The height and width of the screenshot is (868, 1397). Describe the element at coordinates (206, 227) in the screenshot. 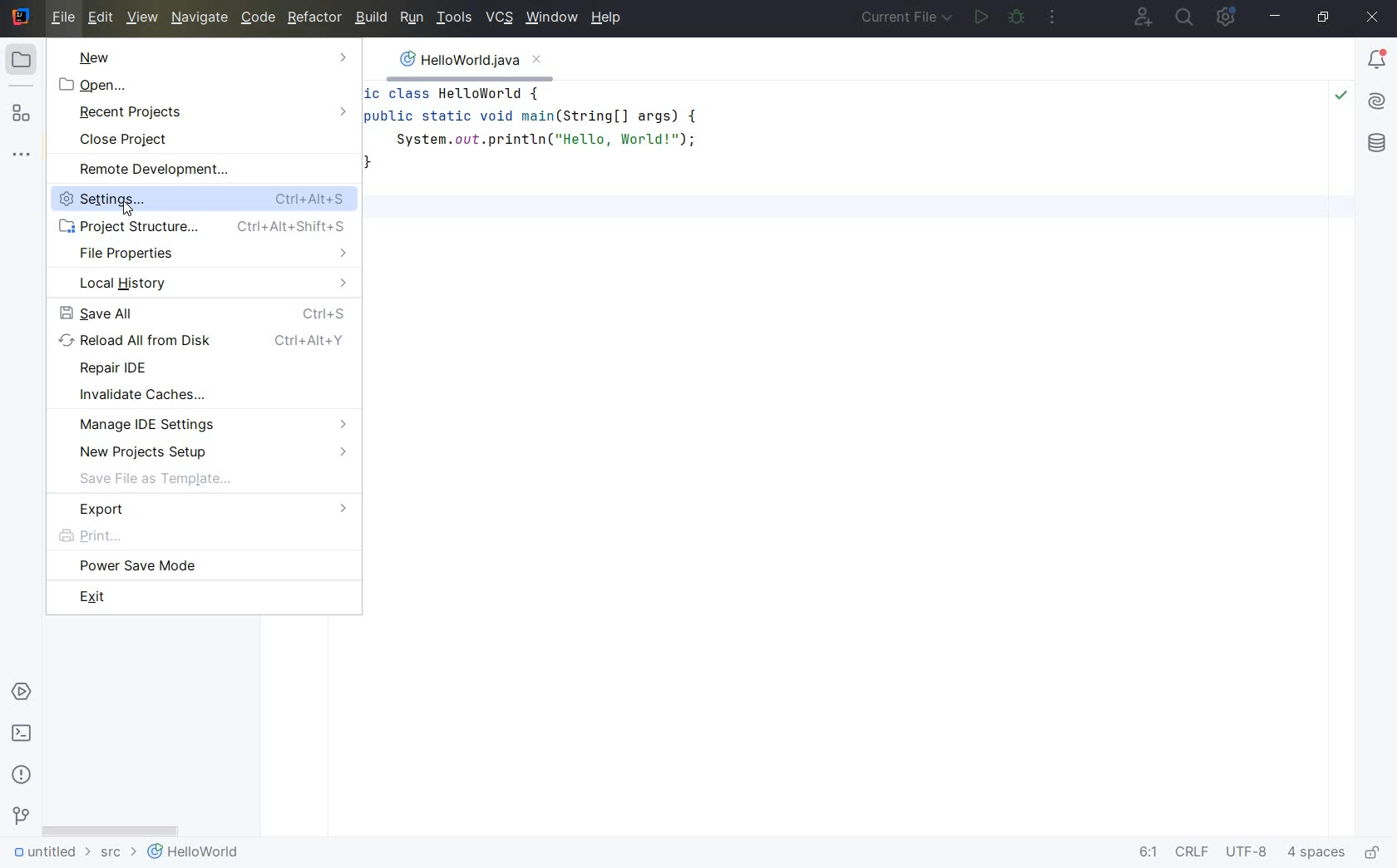

I see `PROJECT STRUCTURE` at that location.